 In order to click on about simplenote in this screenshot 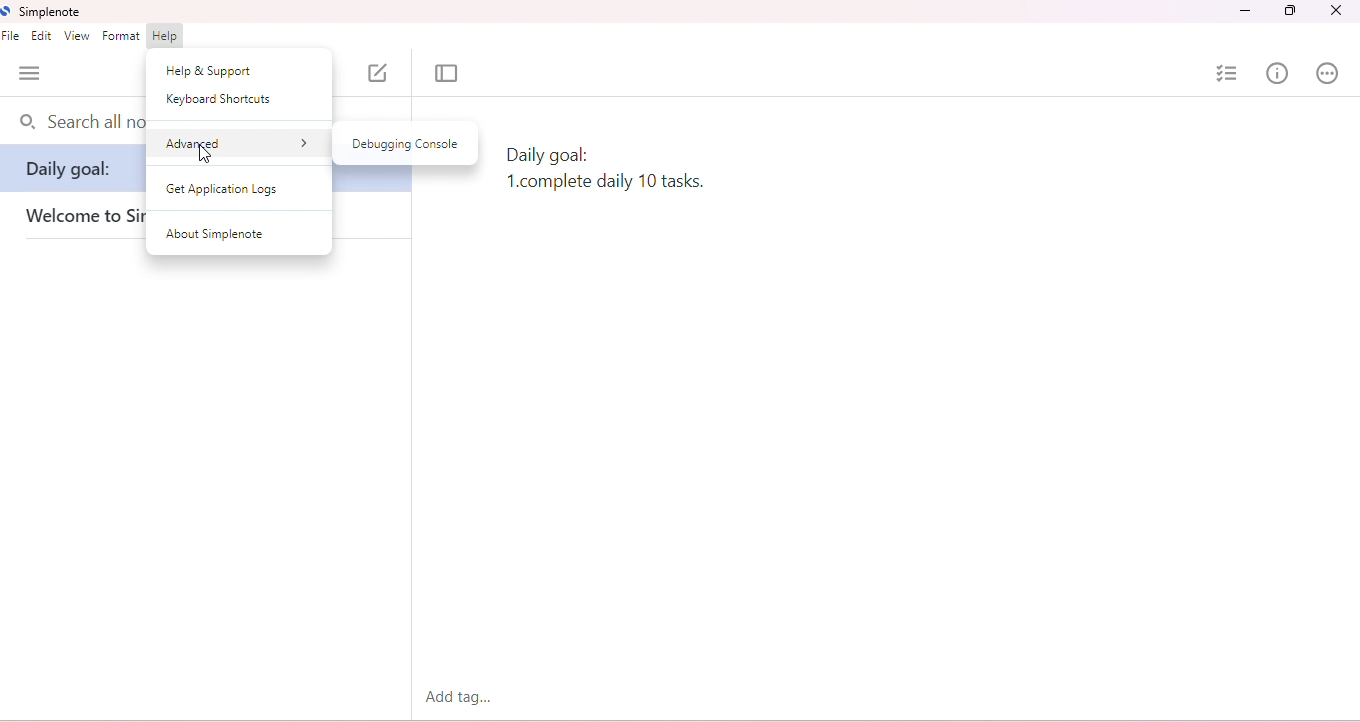, I will do `click(215, 233)`.